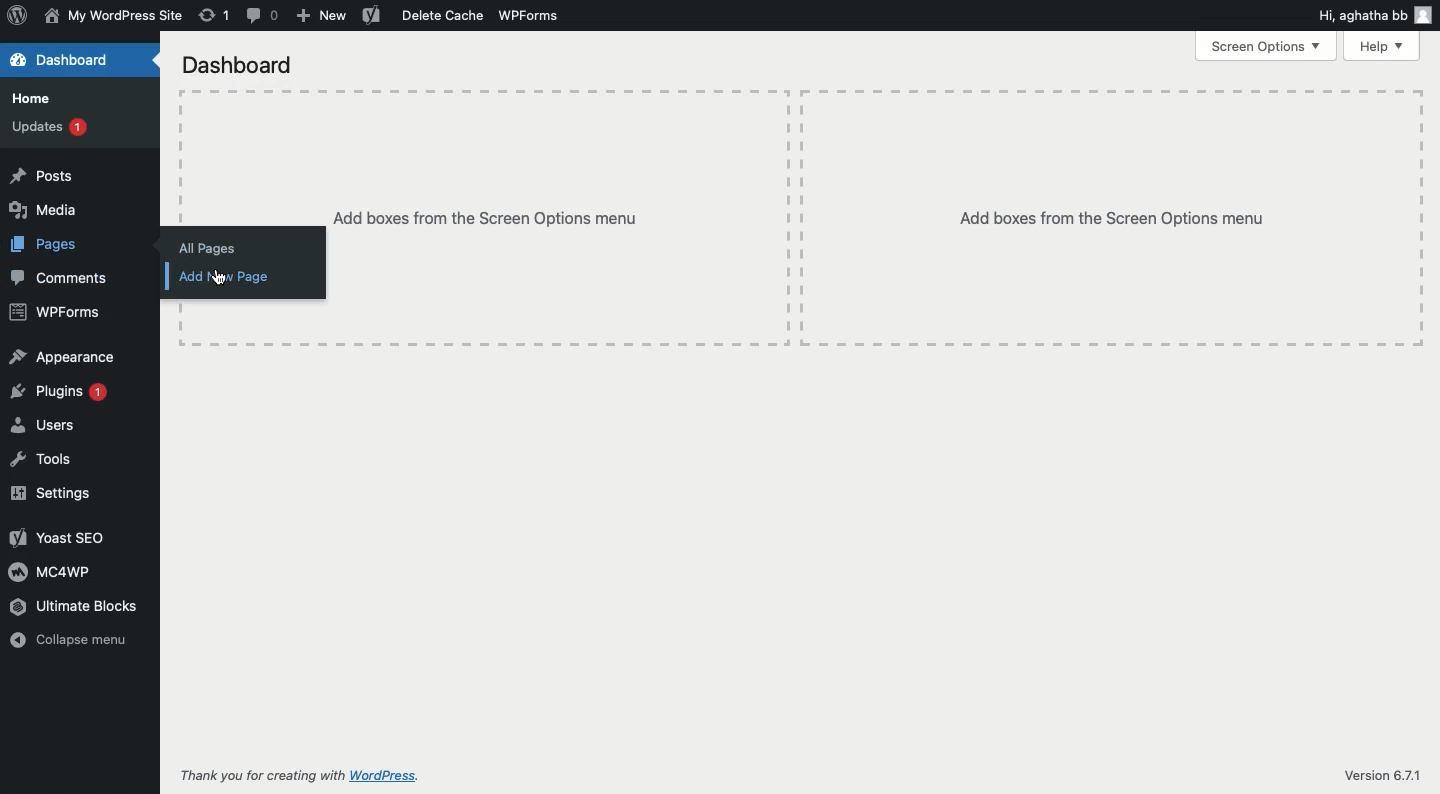  What do you see at coordinates (45, 245) in the screenshot?
I see `Pages` at bounding box center [45, 245].